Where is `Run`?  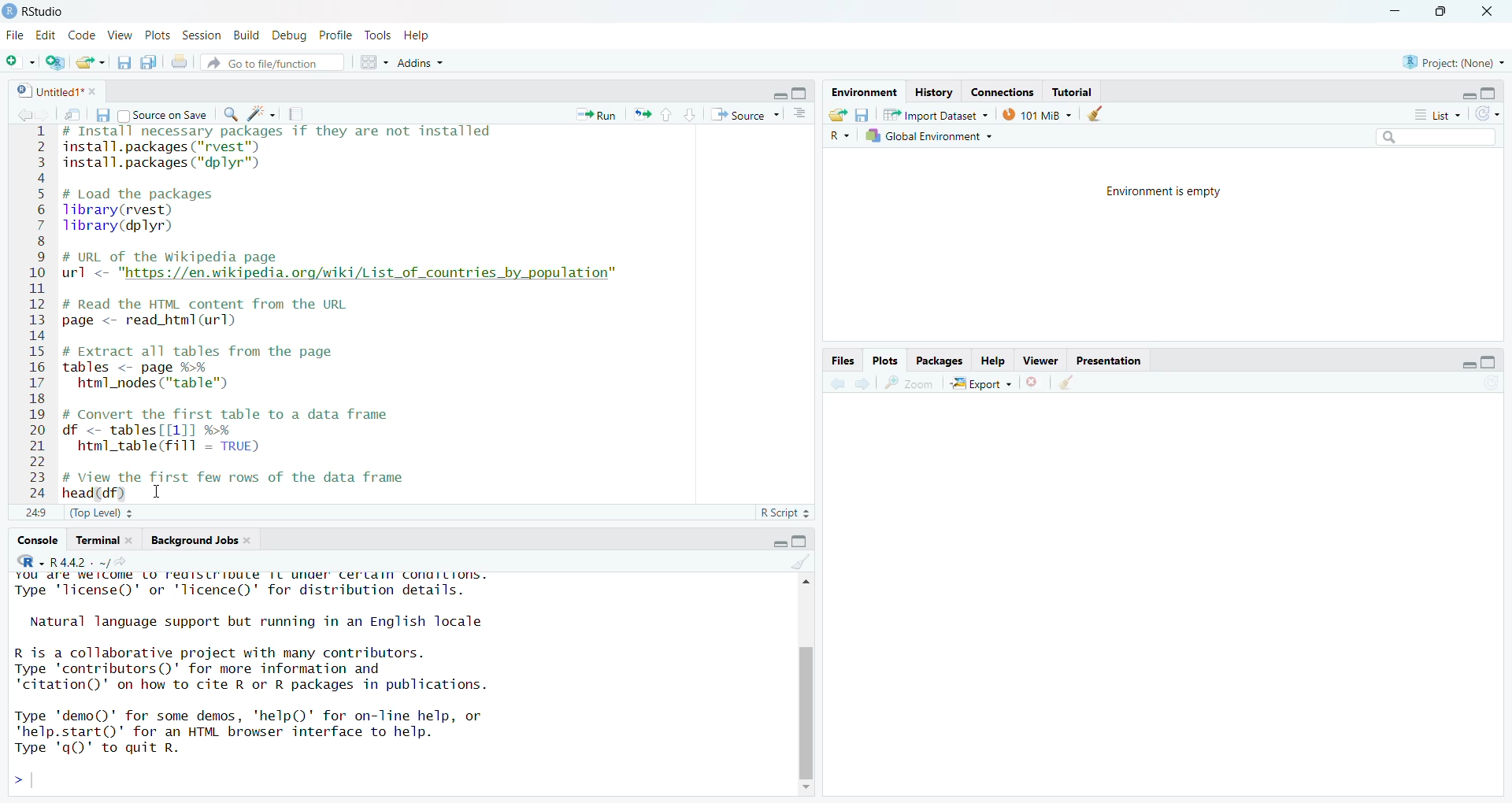 Run is located at coordinates (595, 115).